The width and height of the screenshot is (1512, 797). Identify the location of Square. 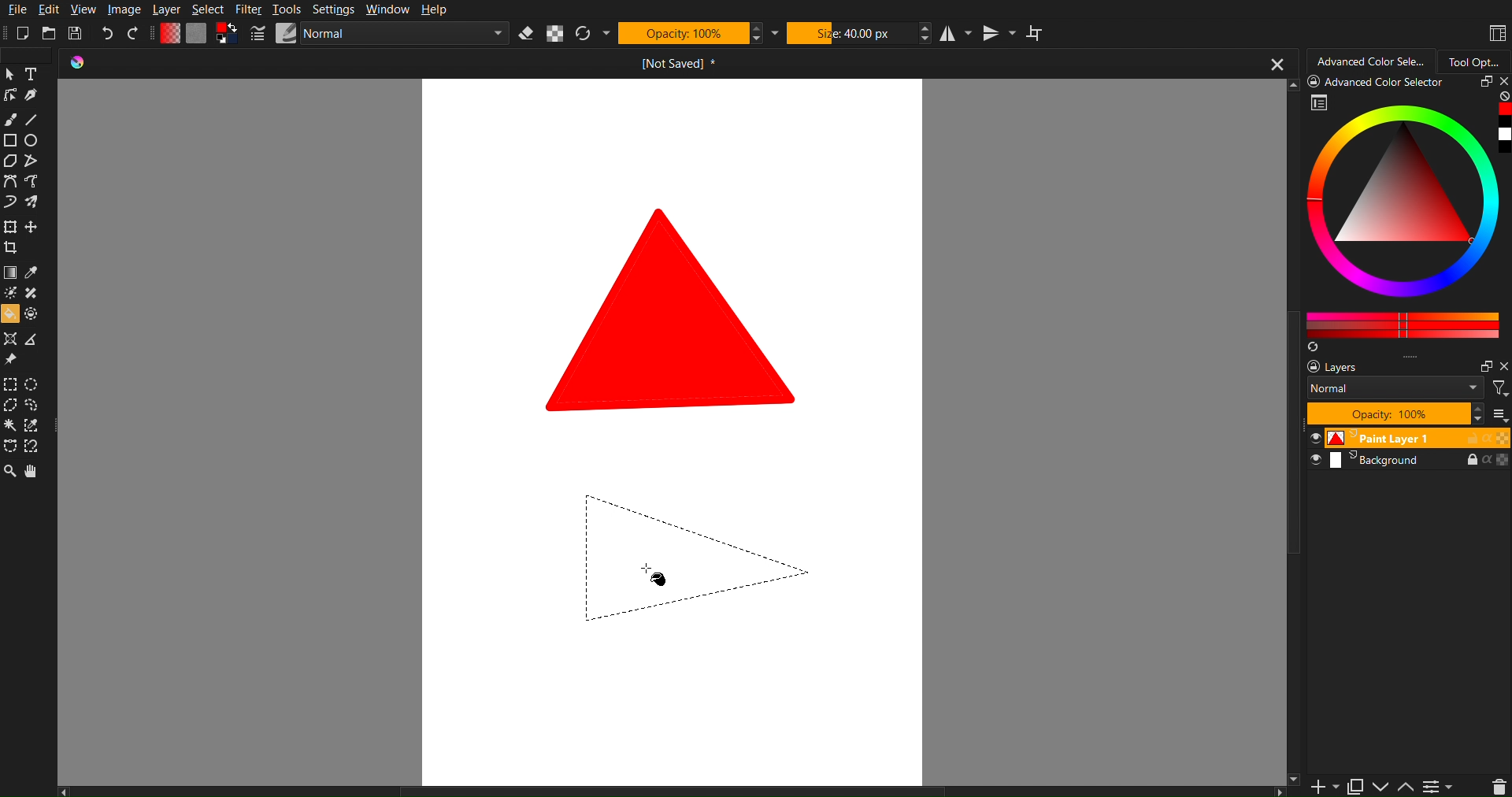
(9, 228).